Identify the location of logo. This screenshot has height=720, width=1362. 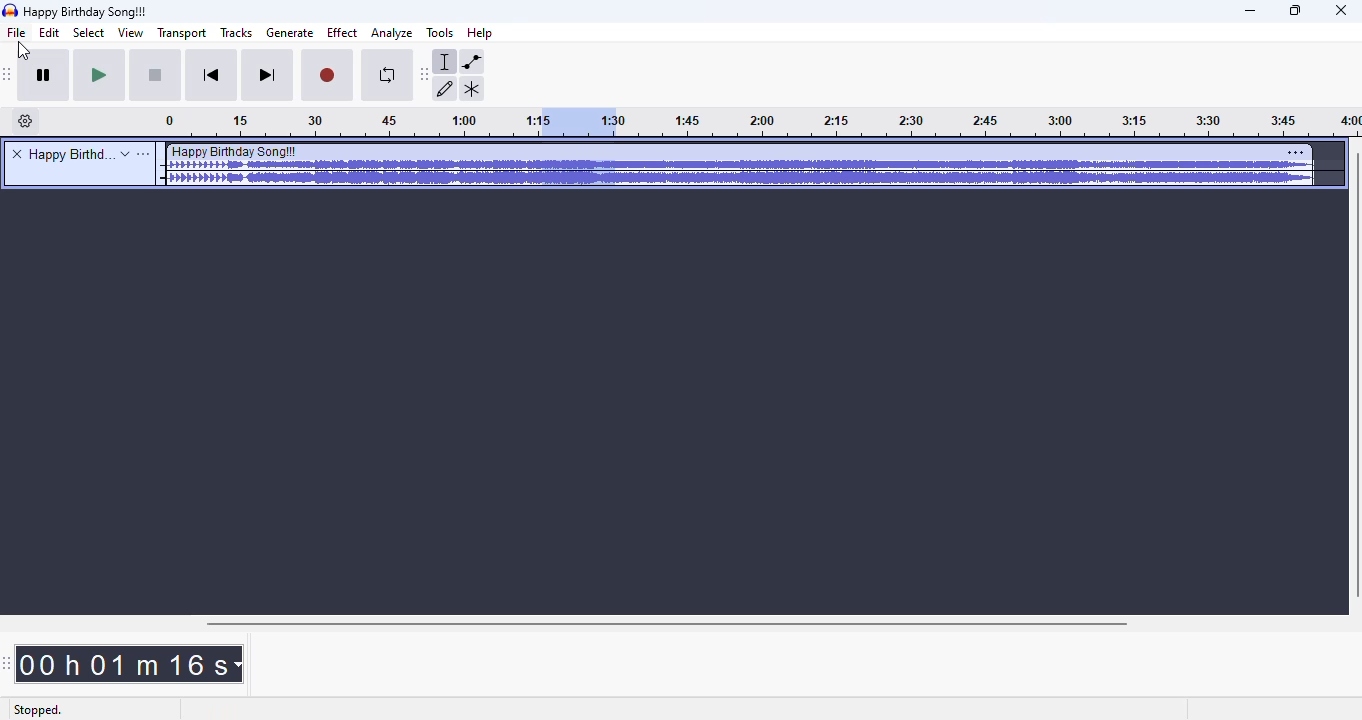
(10, 10).